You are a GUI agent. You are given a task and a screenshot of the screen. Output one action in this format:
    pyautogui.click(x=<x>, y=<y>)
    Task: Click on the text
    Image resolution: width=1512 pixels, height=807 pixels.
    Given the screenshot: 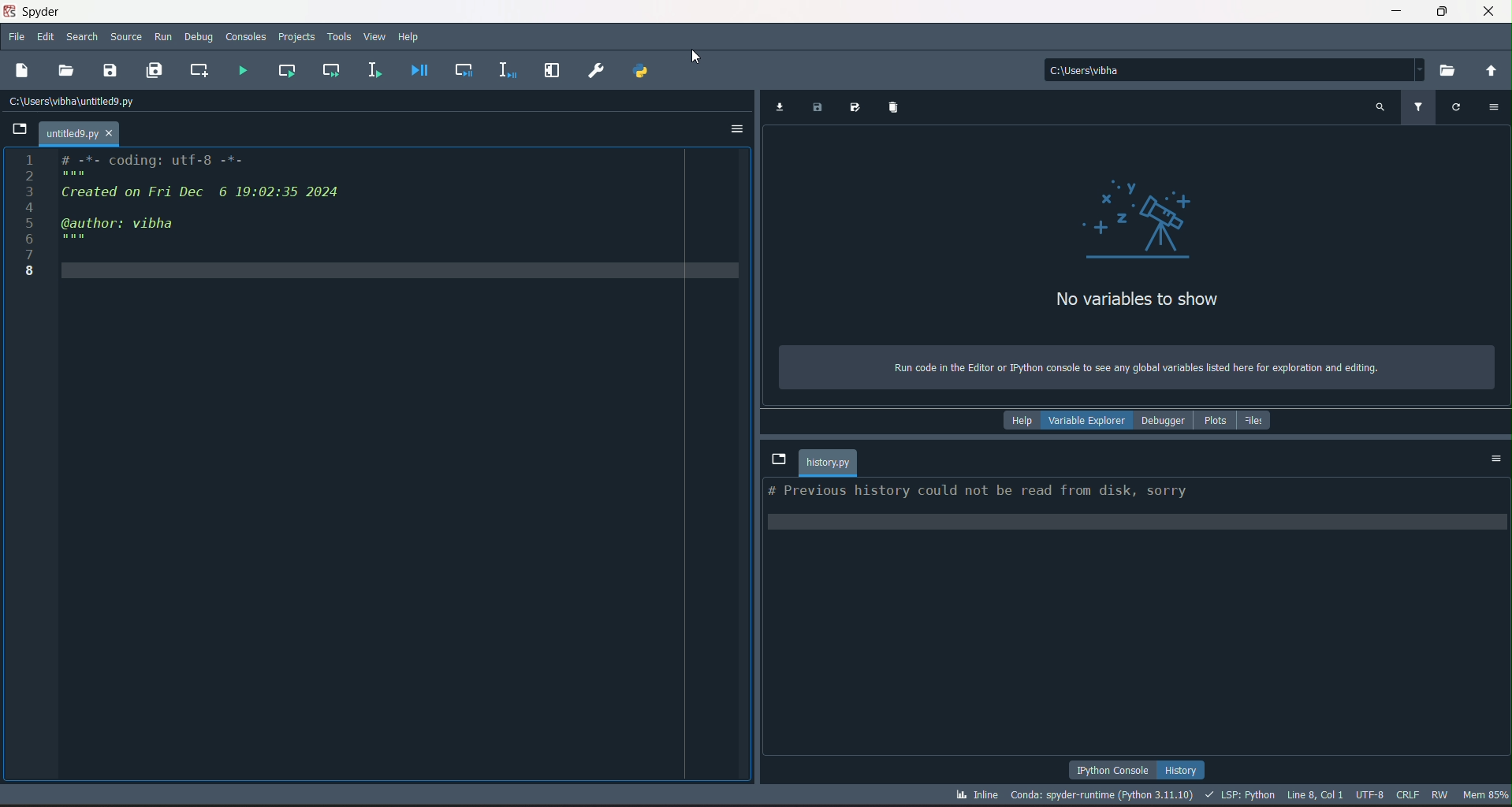 What is the action you would take?
    pyautogui.click(x=978, y=493)
    